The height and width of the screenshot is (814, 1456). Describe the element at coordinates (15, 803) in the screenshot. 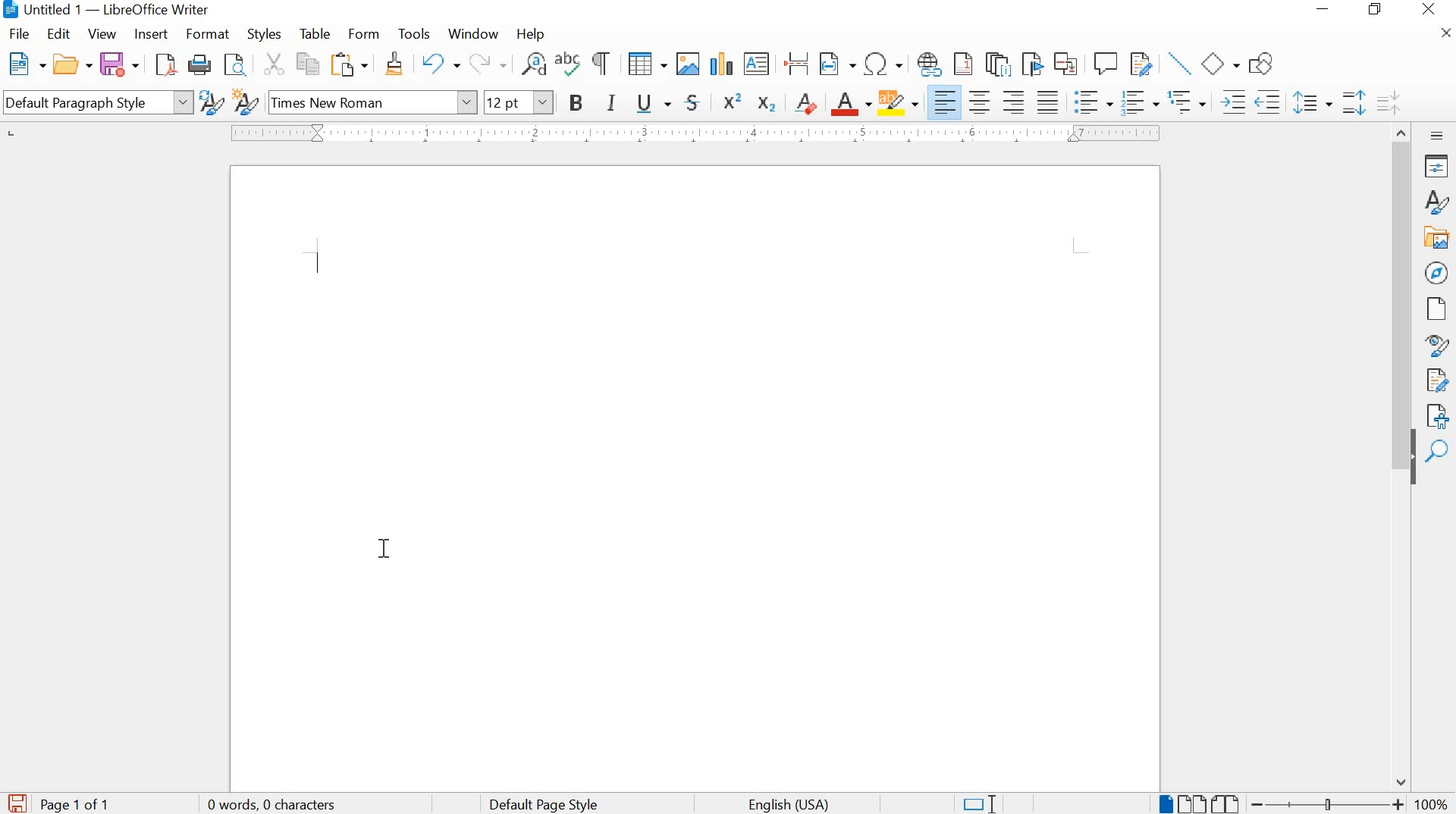

I see `SAVE` at that location.